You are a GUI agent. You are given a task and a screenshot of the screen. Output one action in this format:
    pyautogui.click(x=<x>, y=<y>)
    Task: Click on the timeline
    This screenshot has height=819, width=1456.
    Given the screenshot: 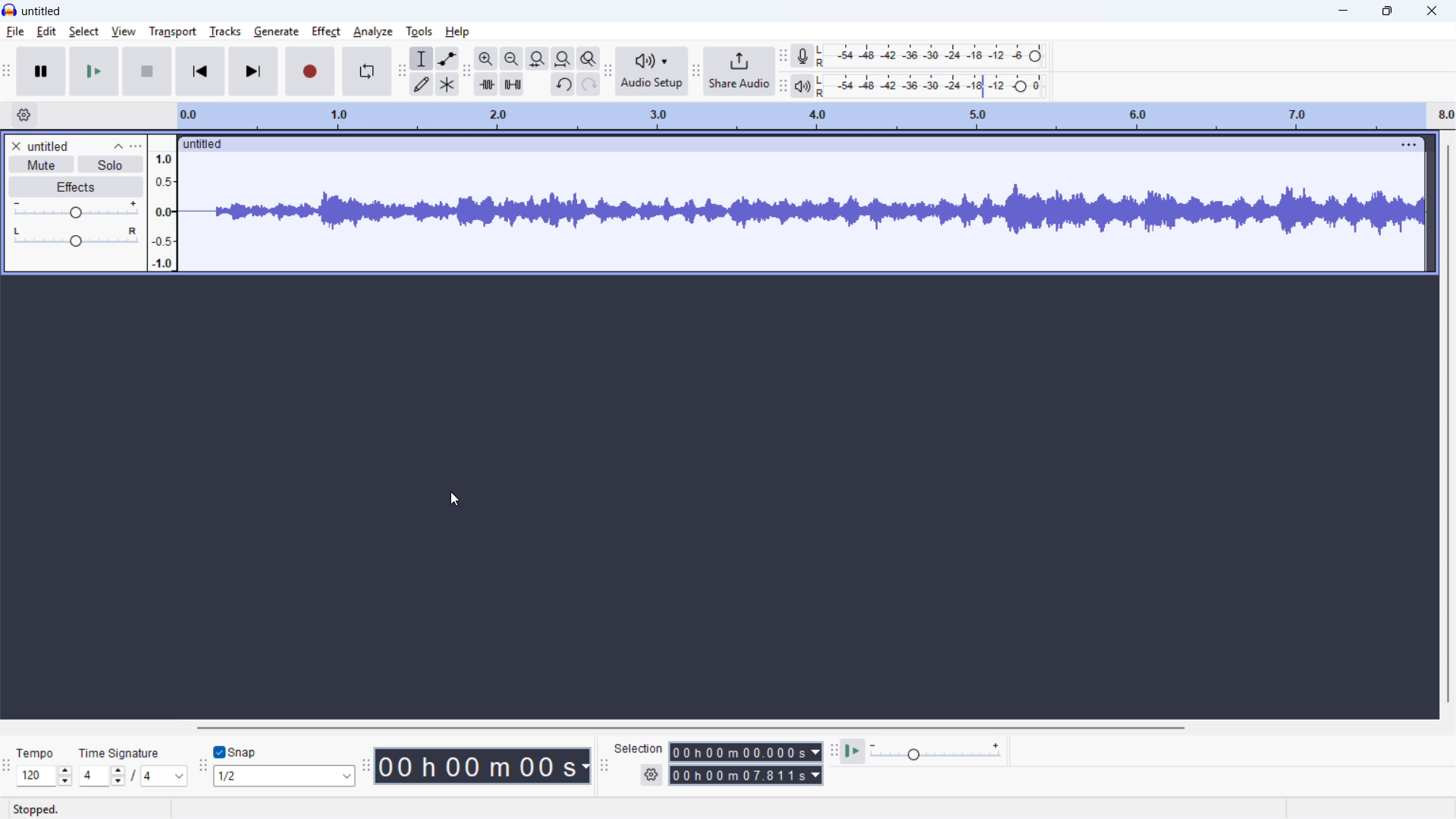 What is the action you would take?
    pyautogui.click(x=816, y=117)
    